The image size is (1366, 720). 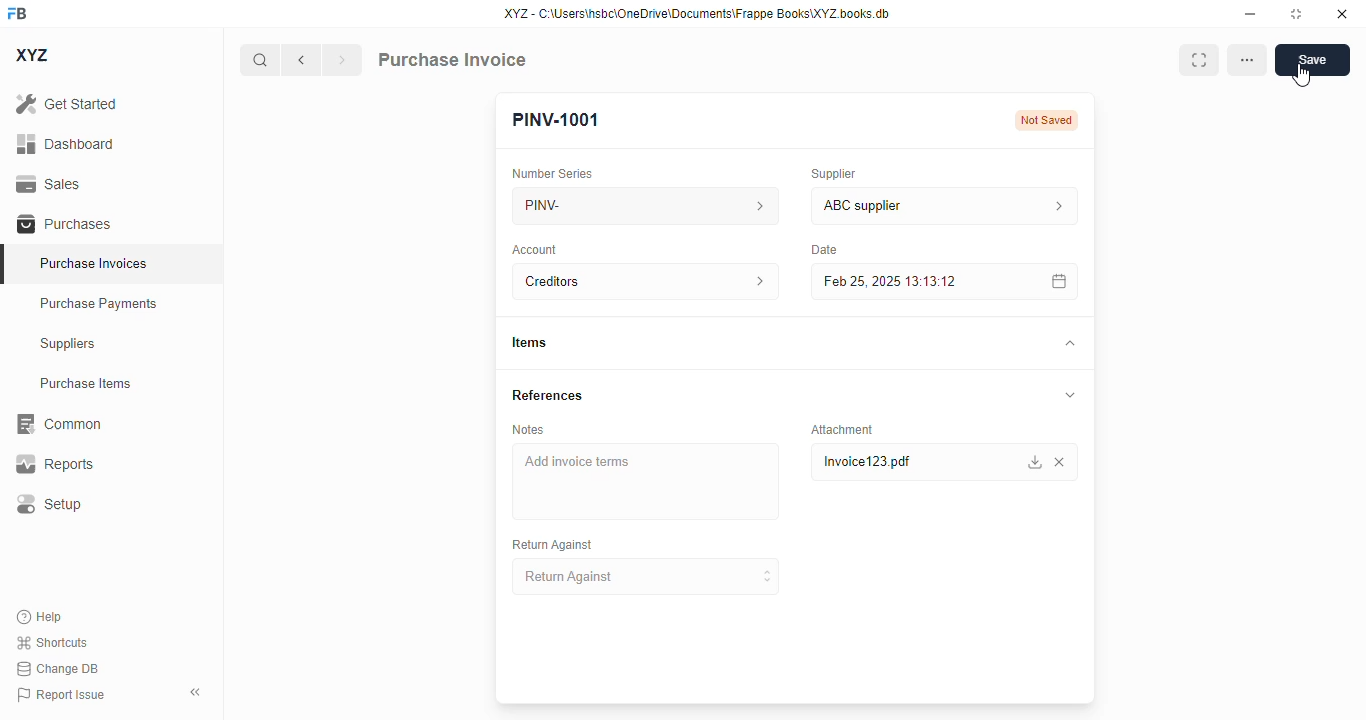 What do you see at coordinates (536, 249) in the screenshot?
I see `account` at bounding box center [536, 249].